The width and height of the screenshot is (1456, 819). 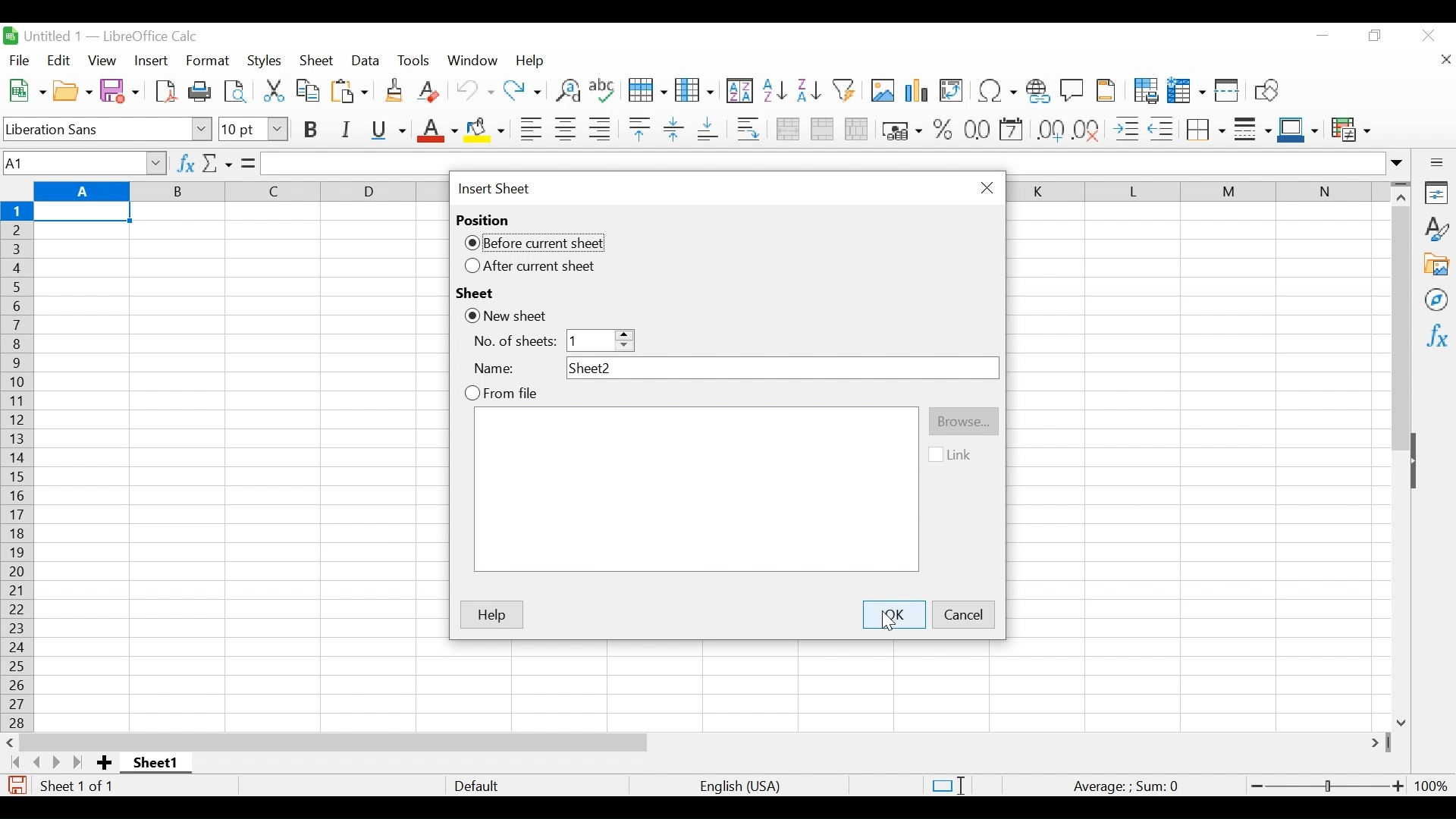 I want to click on Clone Formatting, so click(x=393, y=91).